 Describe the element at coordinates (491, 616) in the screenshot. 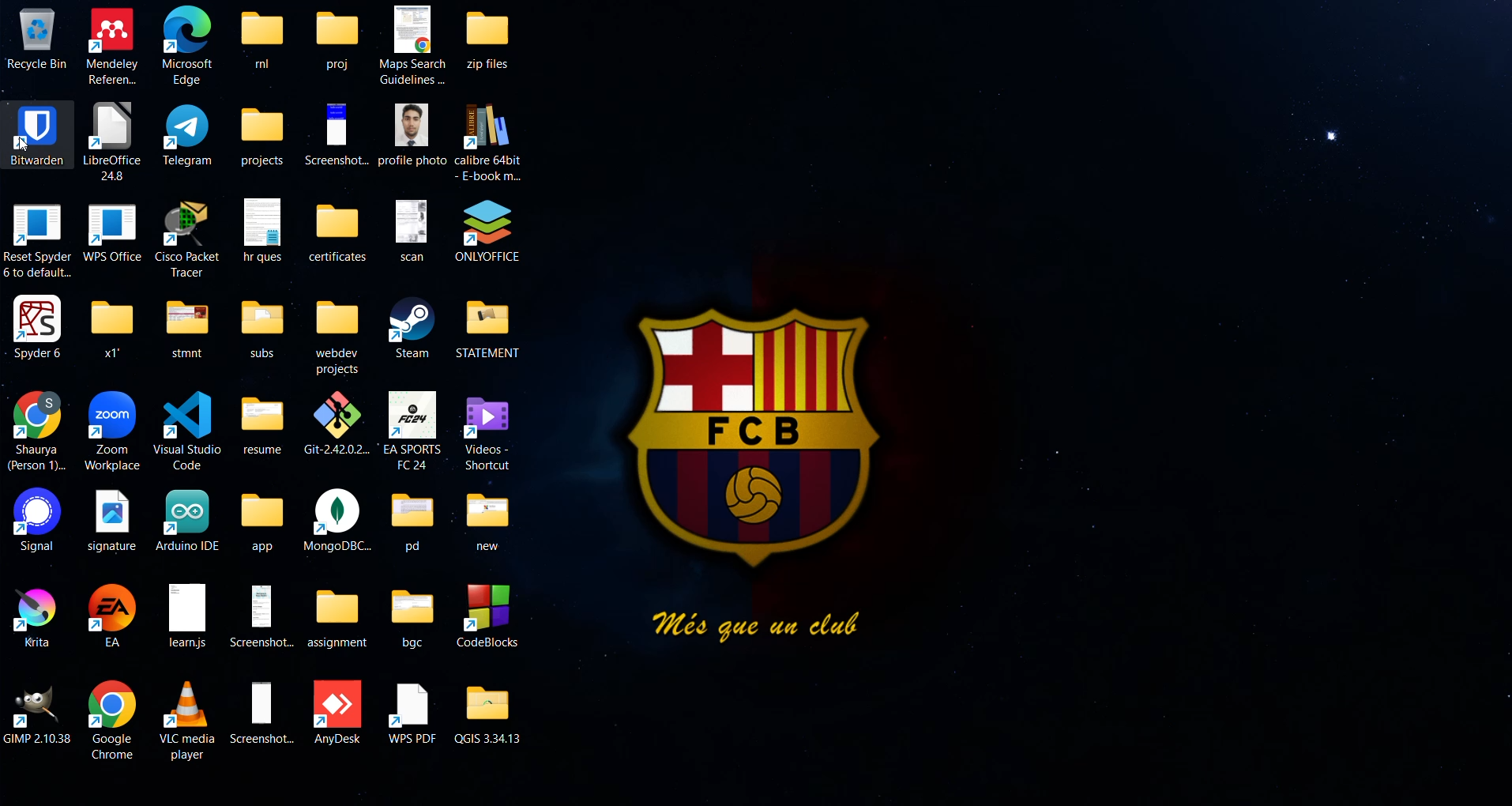

I see `CodeBlocks` at that location.